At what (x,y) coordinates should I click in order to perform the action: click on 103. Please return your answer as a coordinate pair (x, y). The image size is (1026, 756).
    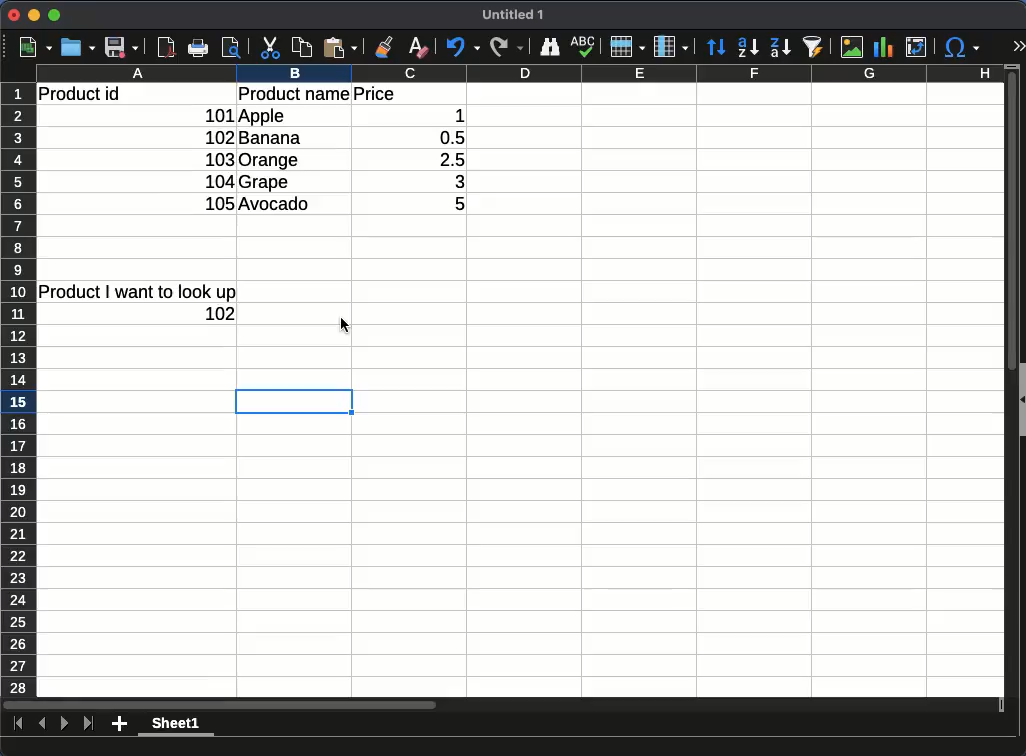
    Looking at the image, I should click on (218, 159).